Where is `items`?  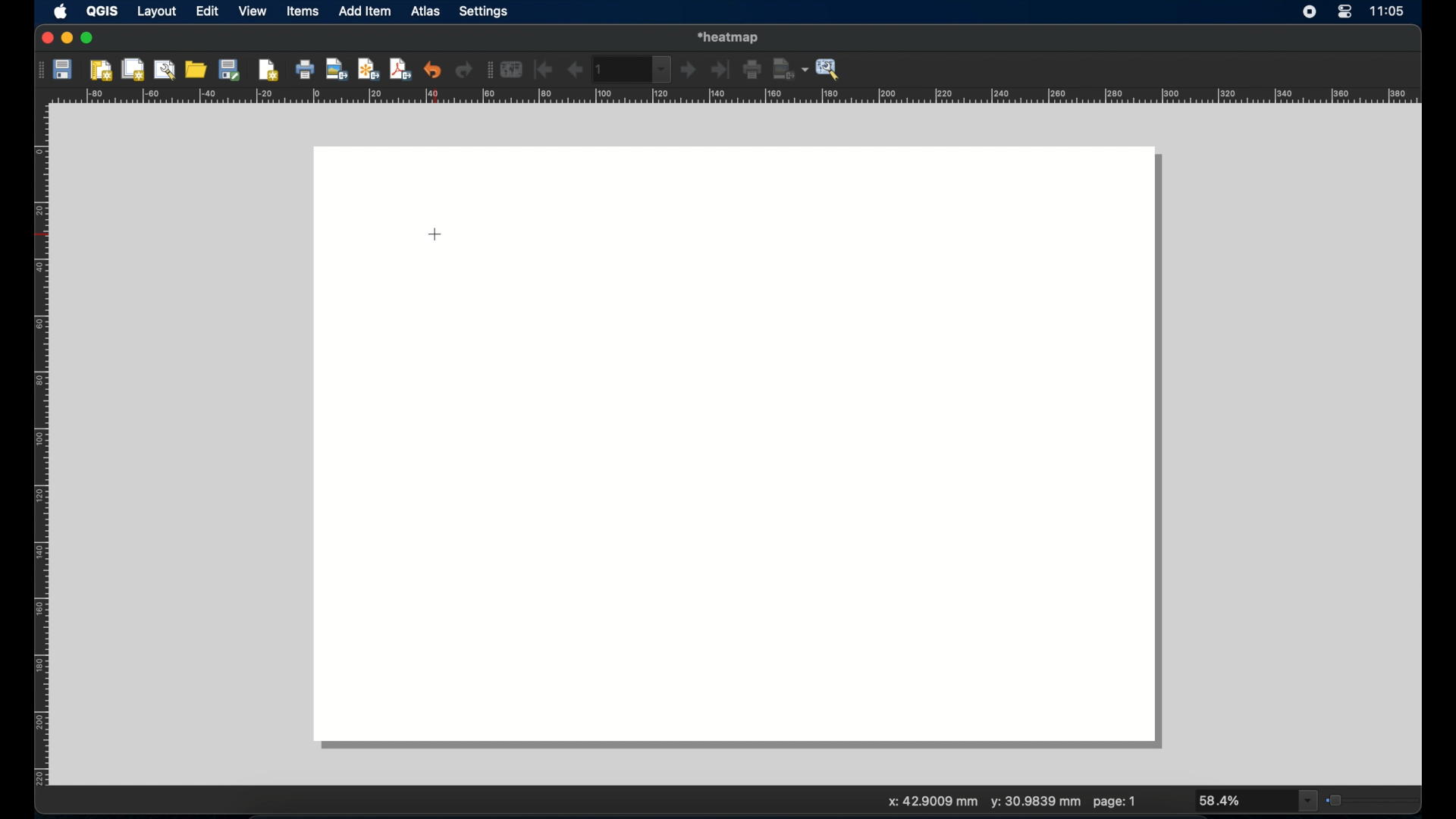 items is located at coordinates (303, 13).